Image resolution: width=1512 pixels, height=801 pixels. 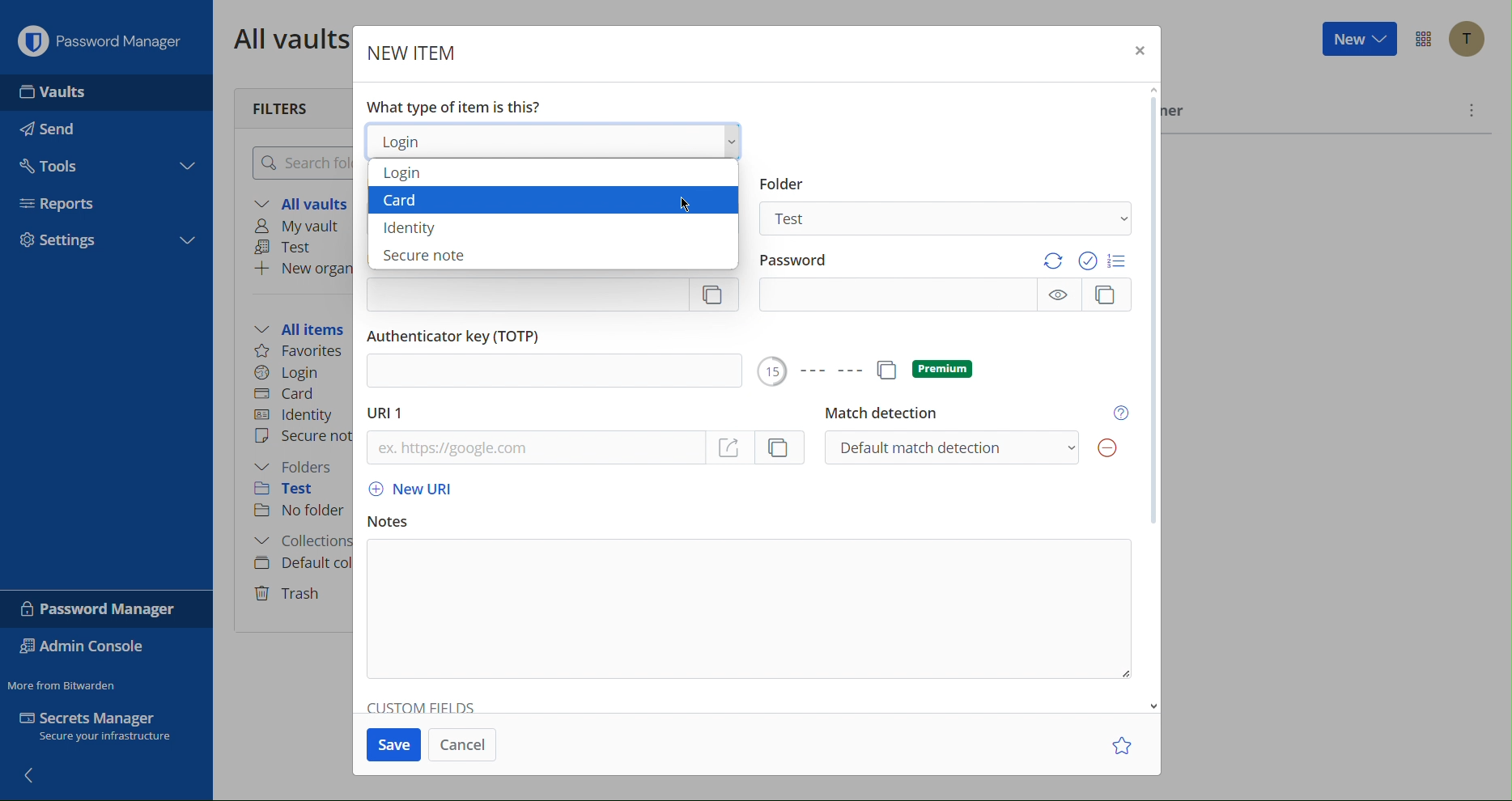 What do you see at coordinates (1092, 258) in the screenshot?
I see `Options` at bounding box center [1092, 258].